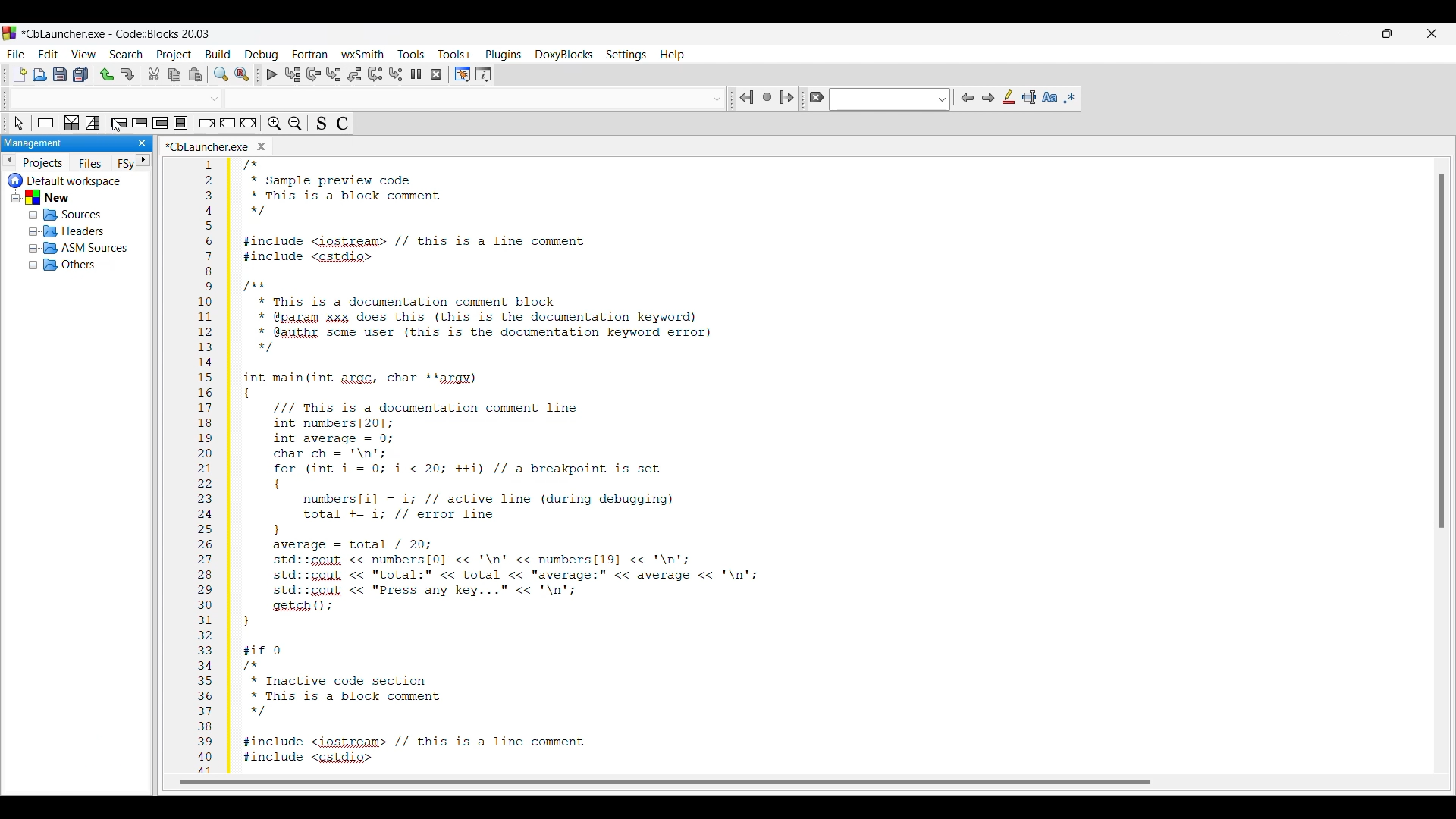 This screenshot has height=819, width=1456. I want to click on Show interface in smaller tab, so click(1387, 33).